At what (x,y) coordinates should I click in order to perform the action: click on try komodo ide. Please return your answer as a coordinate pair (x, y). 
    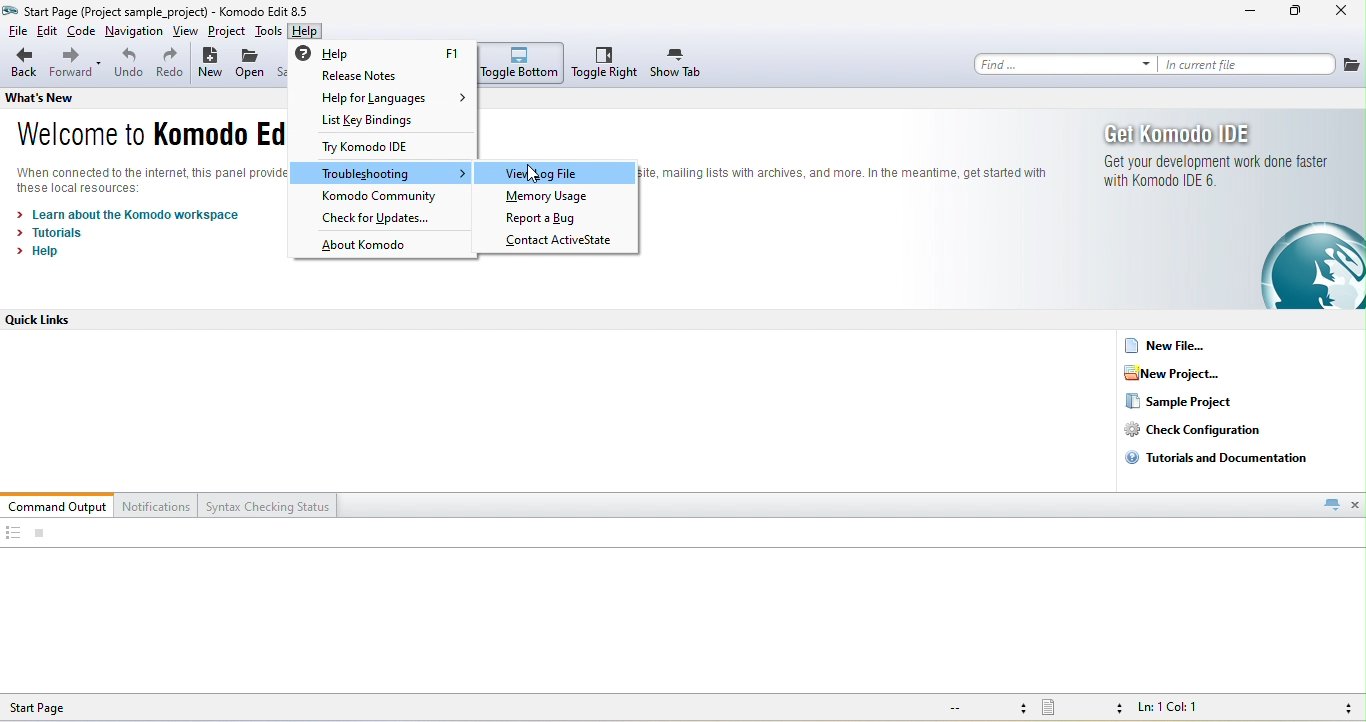
    Looking at the image, I should click on (376, 149).